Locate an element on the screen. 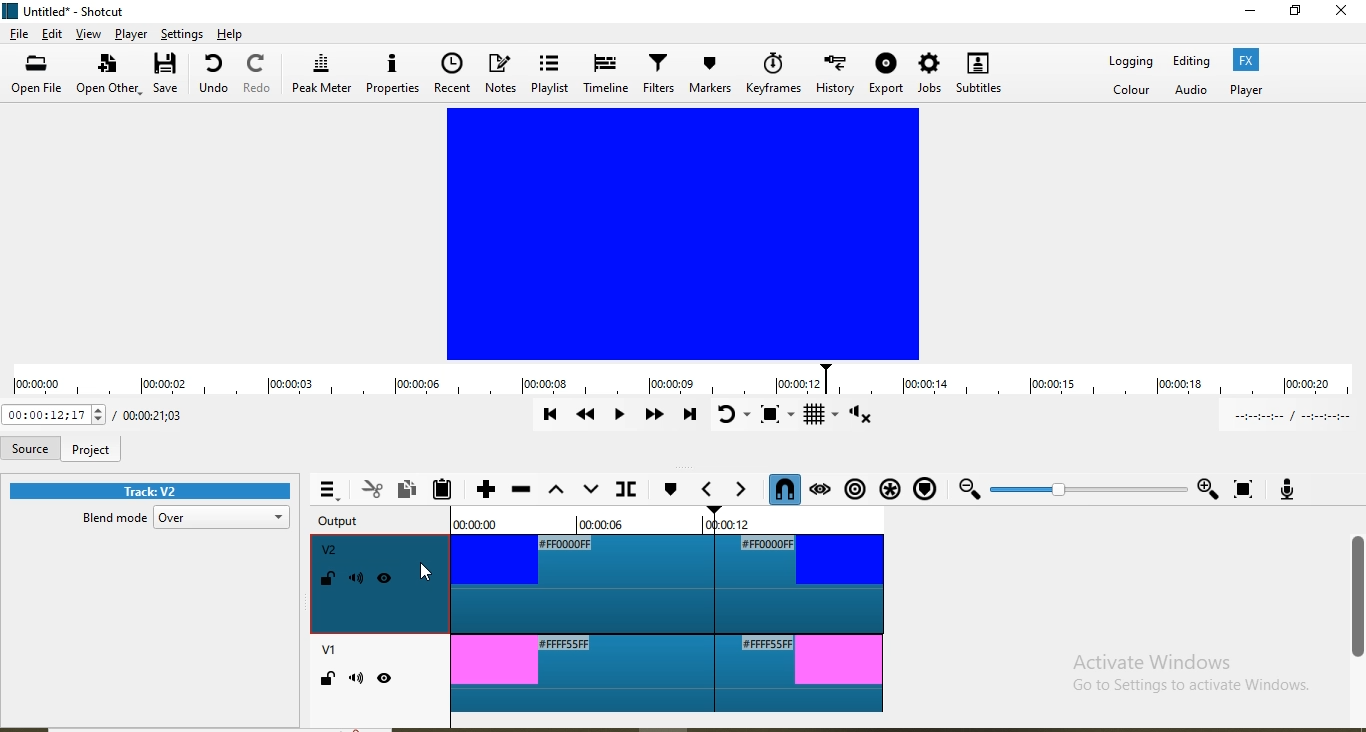 This screenshot has height=732, width=1366. Mute is located at coordinates (358, 579).